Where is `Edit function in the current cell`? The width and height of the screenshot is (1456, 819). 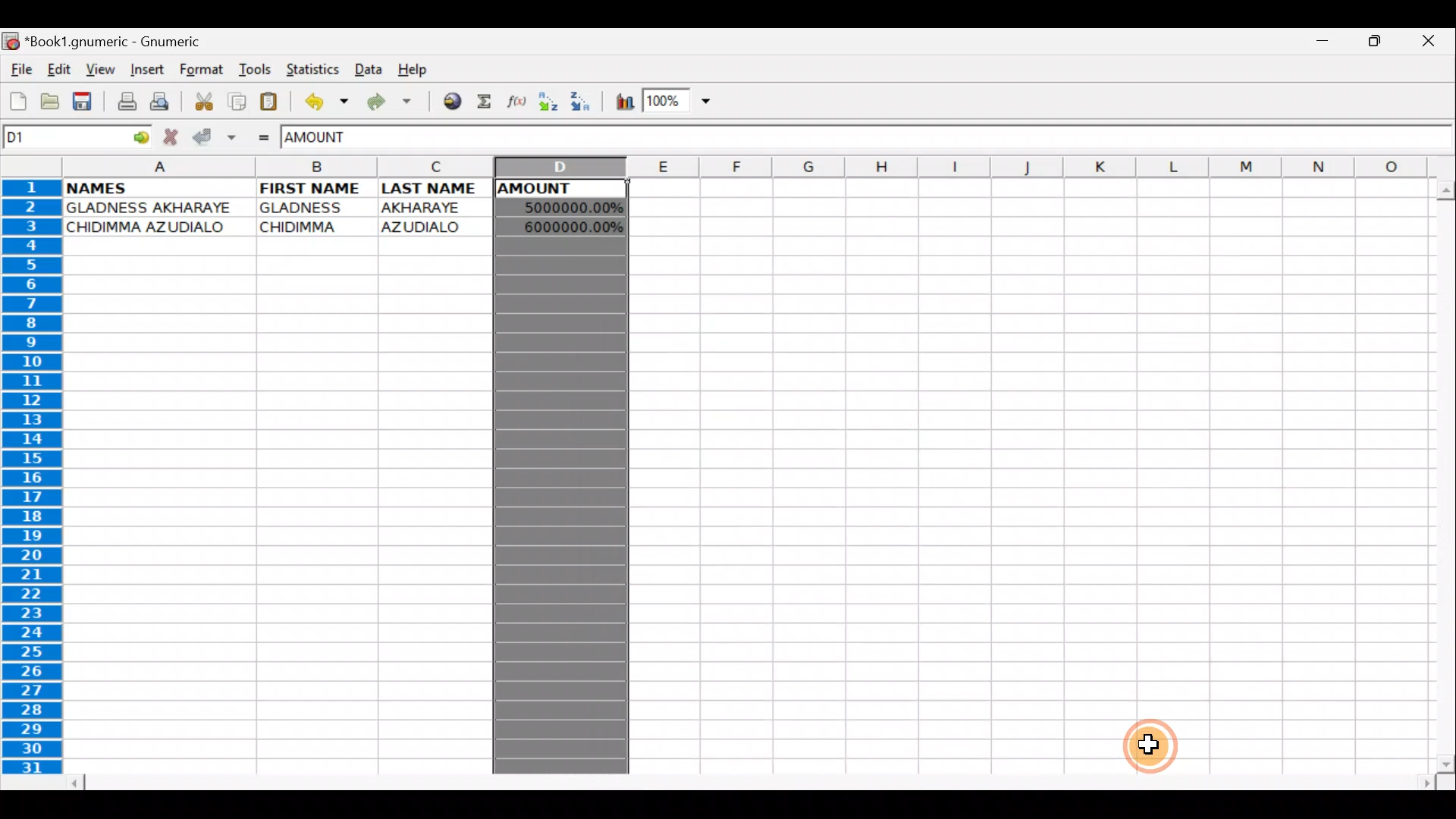 Edit function in the current cell is located at coordinates (519, 102).